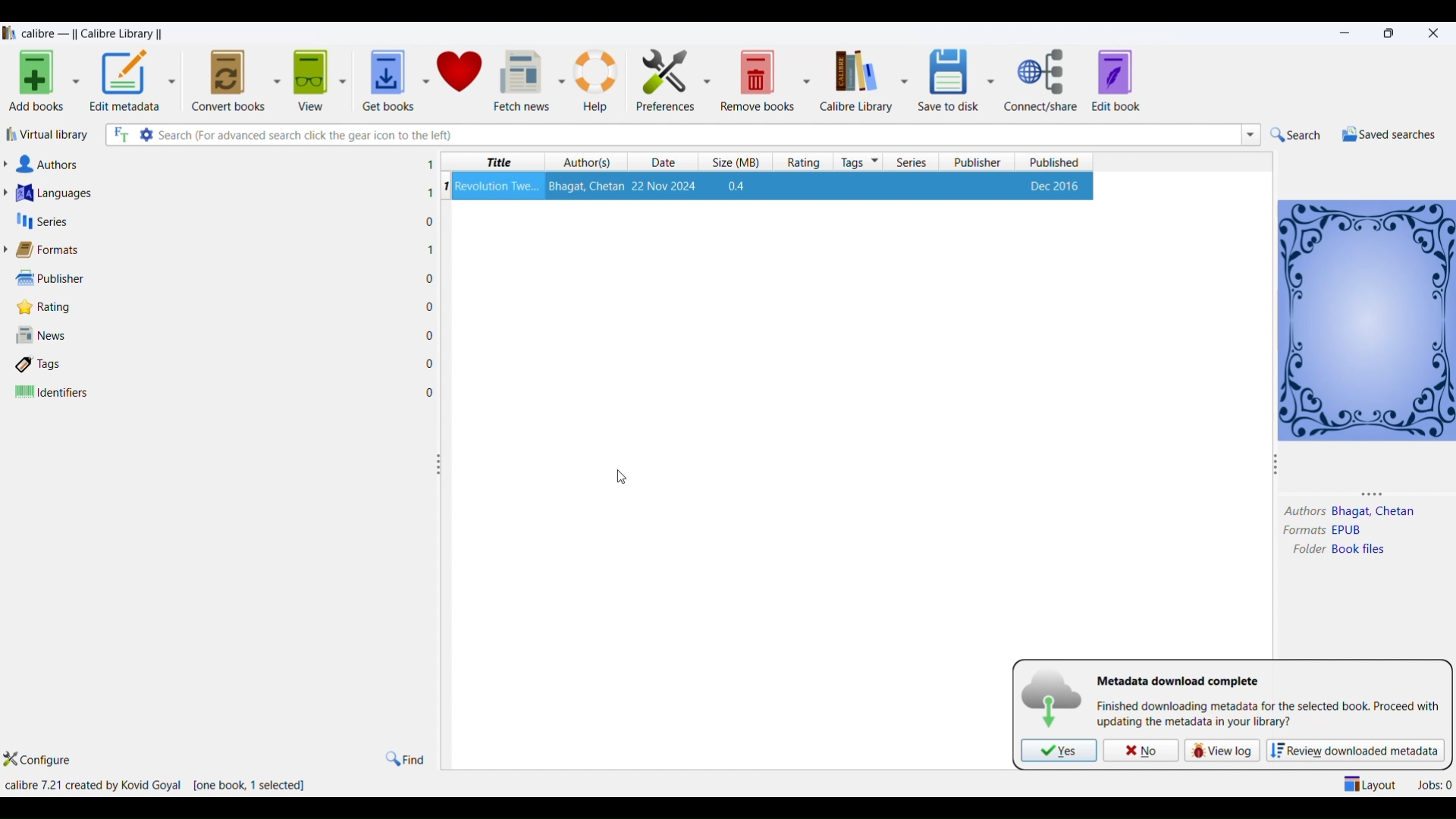 The height and width of the screenshot is (819, 1456). What do you see at coordinates (1354, 531) in the screenshot?
I see `format type` at bounding box center [1354, 531].